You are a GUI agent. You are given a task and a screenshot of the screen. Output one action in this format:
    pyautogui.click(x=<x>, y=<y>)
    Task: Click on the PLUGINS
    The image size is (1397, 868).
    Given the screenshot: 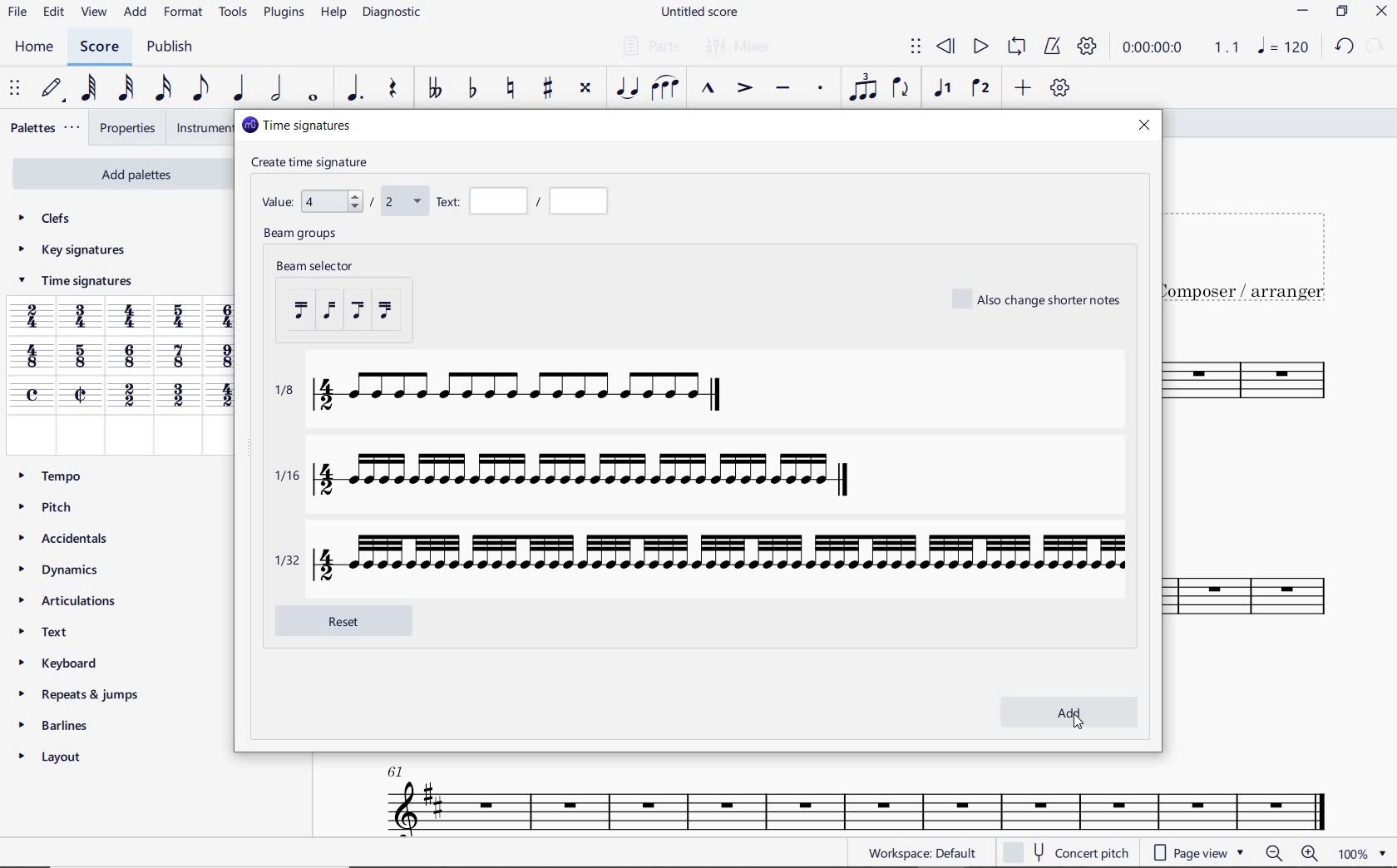 What is the action you would take?
    pyautogui.click(x=281, y=14)
    